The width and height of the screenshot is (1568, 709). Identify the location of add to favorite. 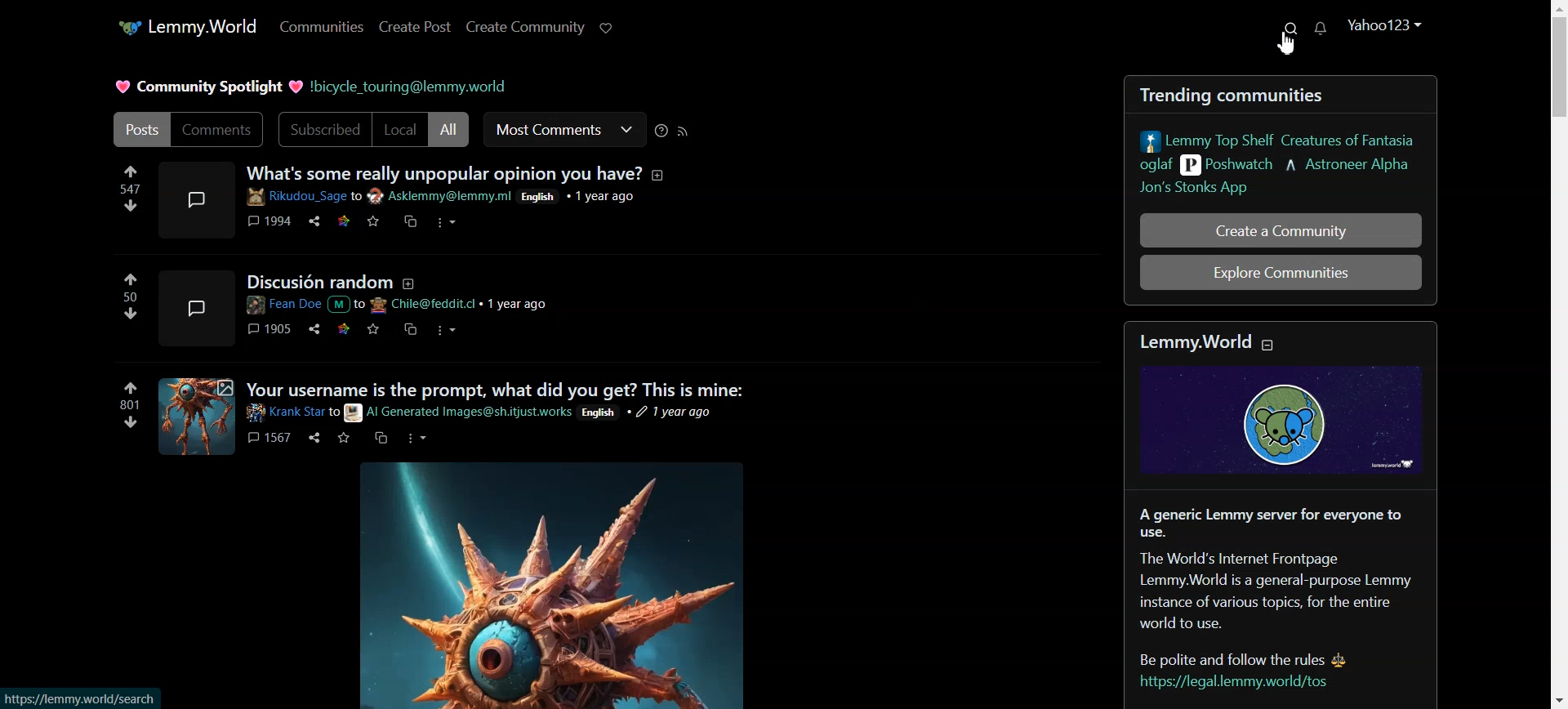
(374, 328).